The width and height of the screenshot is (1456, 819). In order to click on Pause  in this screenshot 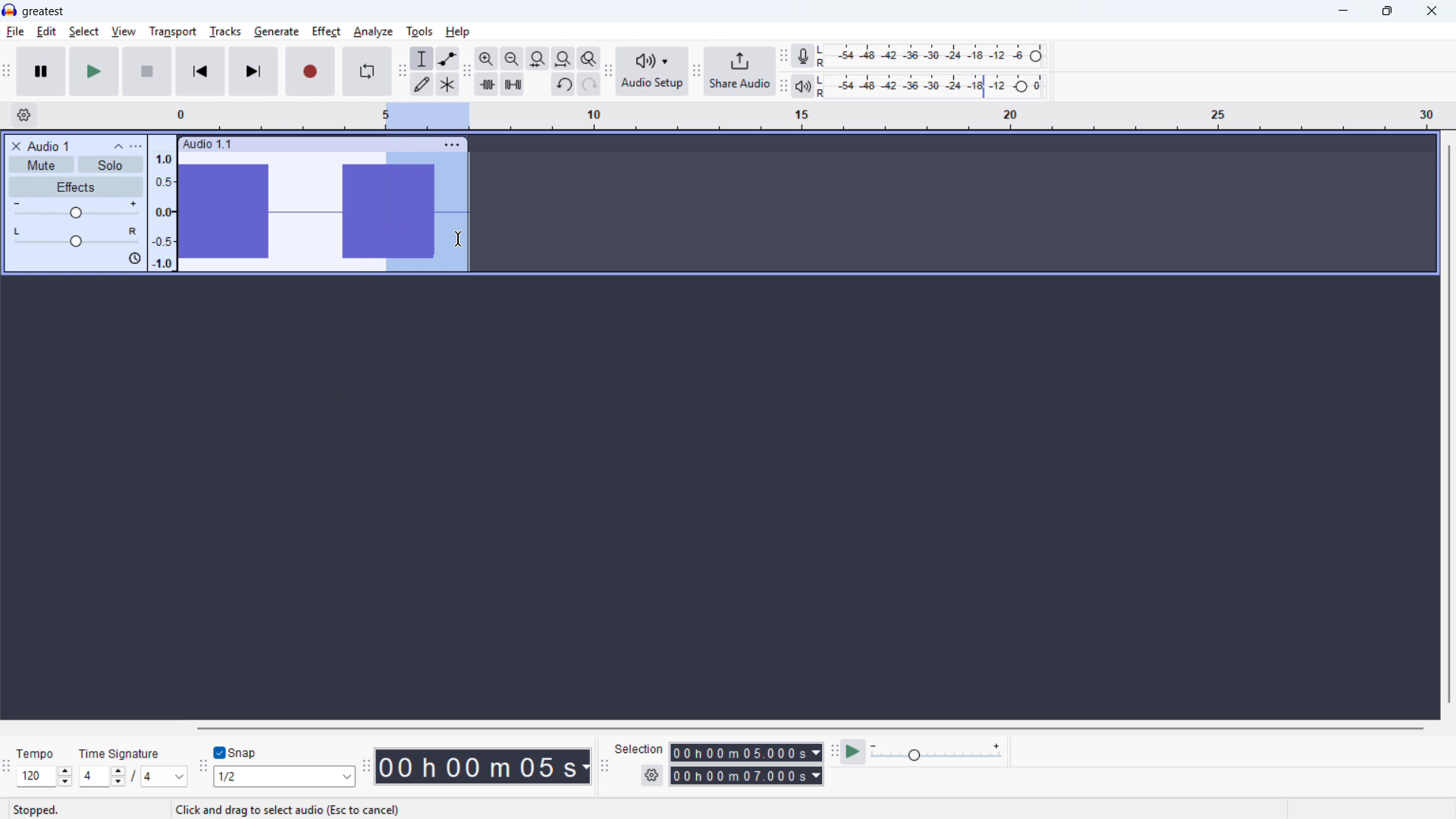, I will do `click(41, 71)`.